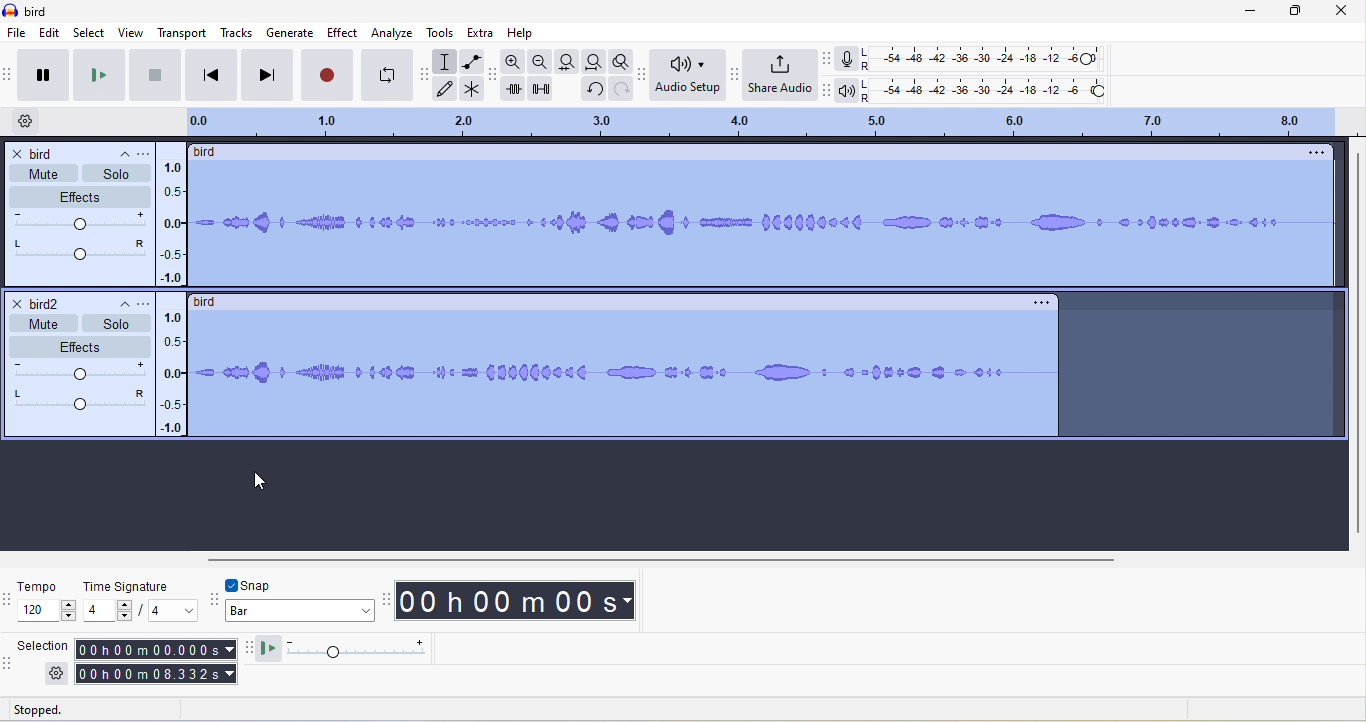 This screenshot has width=1366, height=722. Describe the element at coordinates (158, 676) in the screenshot. I see `00 h 00 m 08 .332 s` at that location.